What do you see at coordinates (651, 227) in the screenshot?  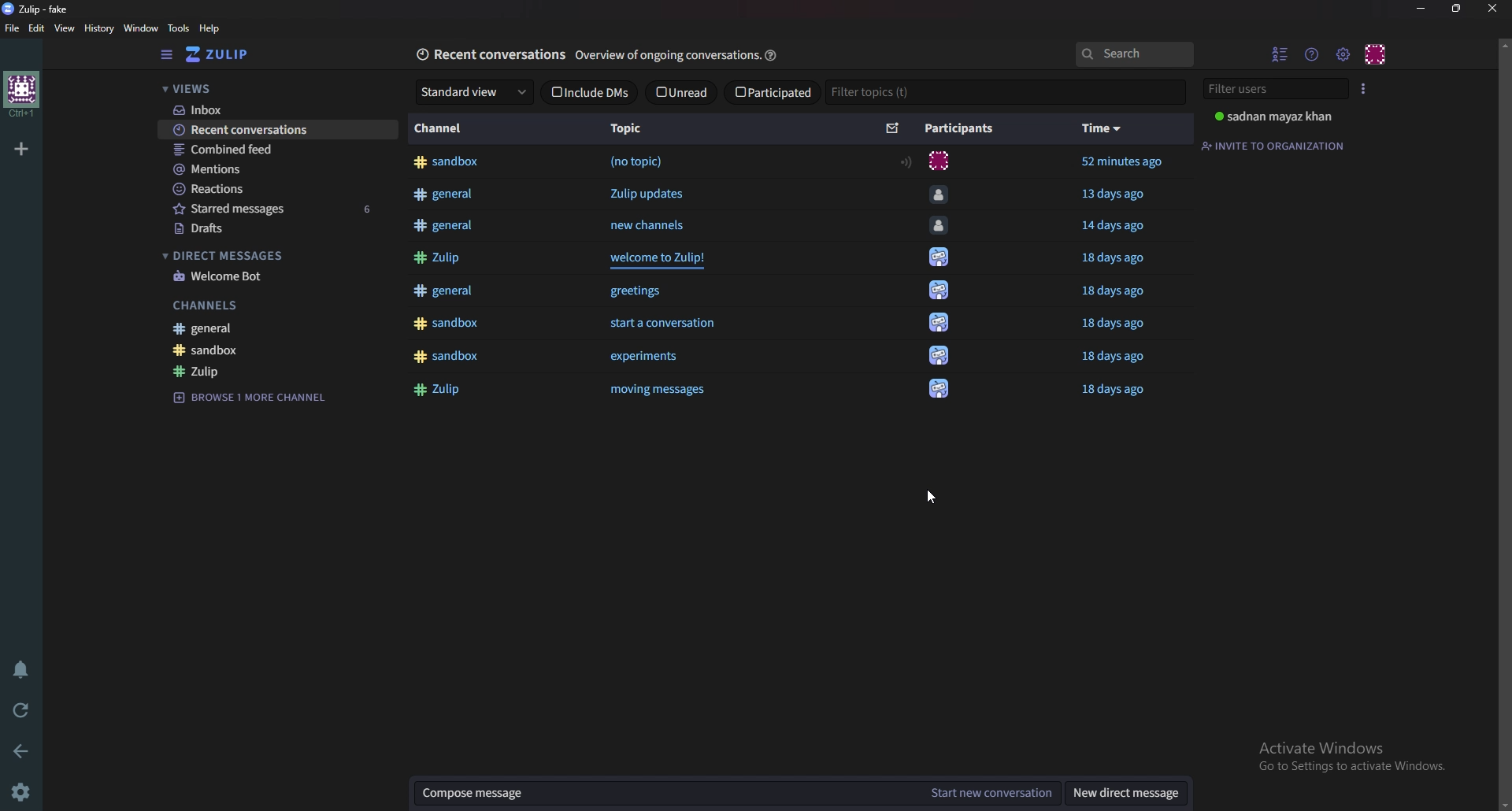 I see `new channels` at bounding box center [651, 227].